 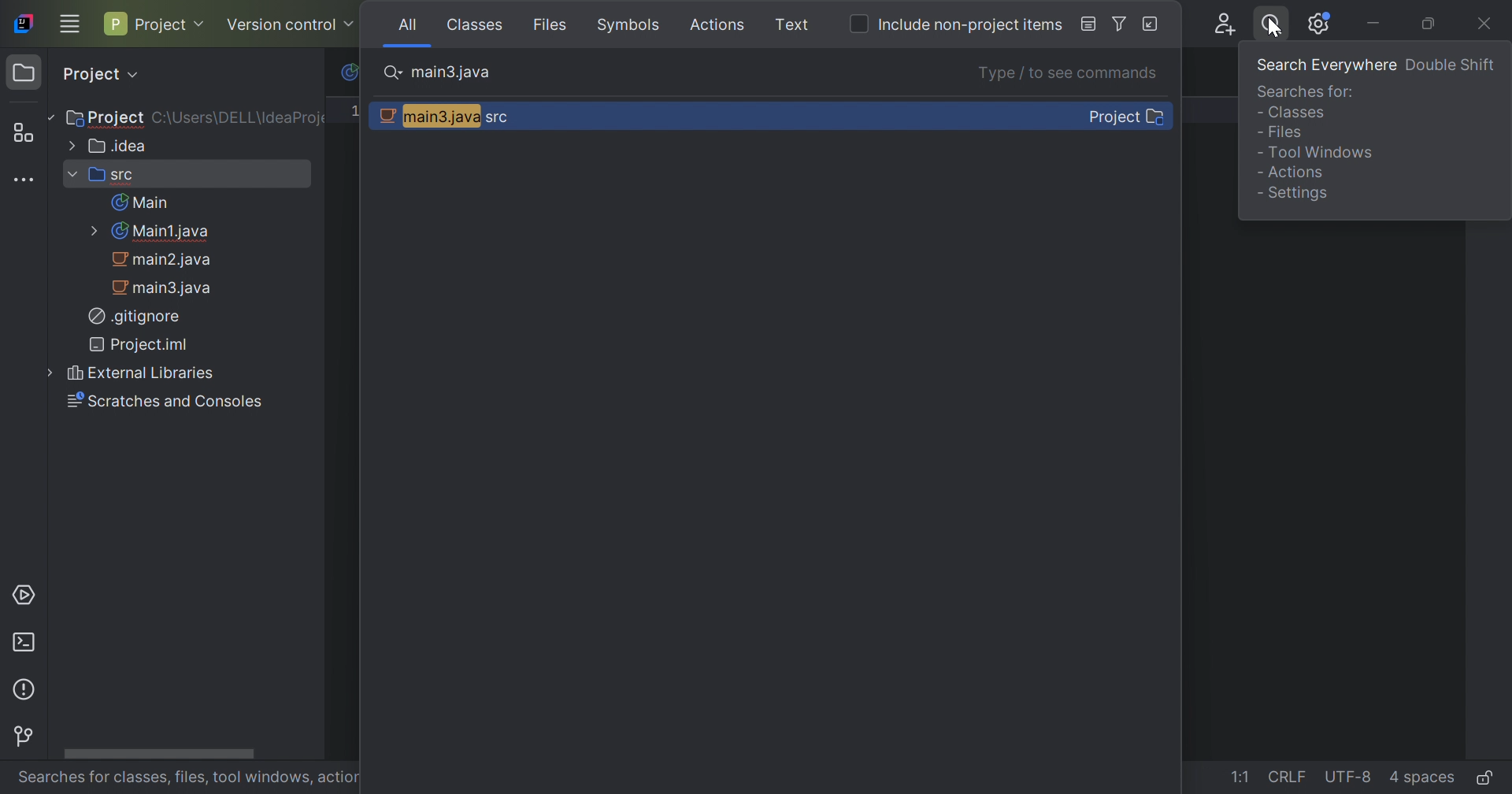 I want to click on More tool windows, so click(x=24, y=178).